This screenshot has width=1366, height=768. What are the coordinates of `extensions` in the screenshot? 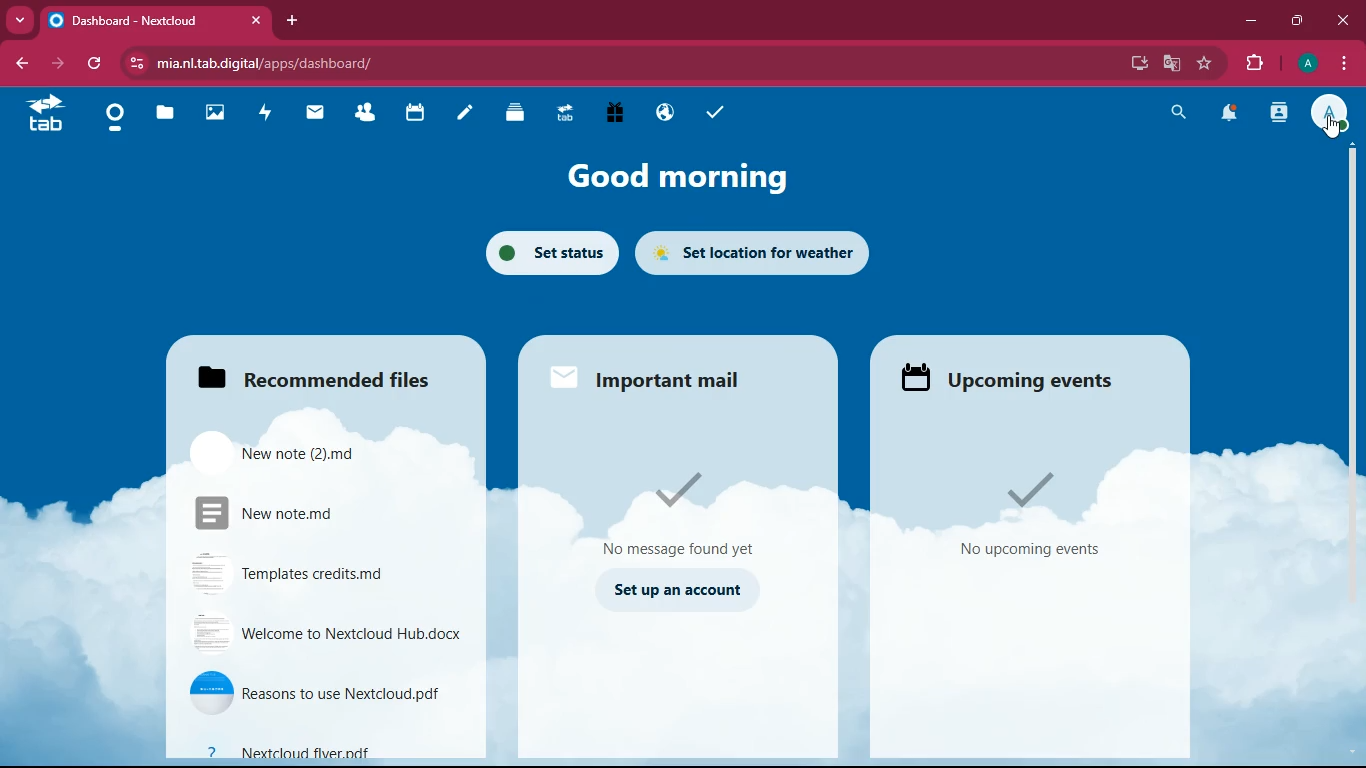 It's located at (1255, 64).